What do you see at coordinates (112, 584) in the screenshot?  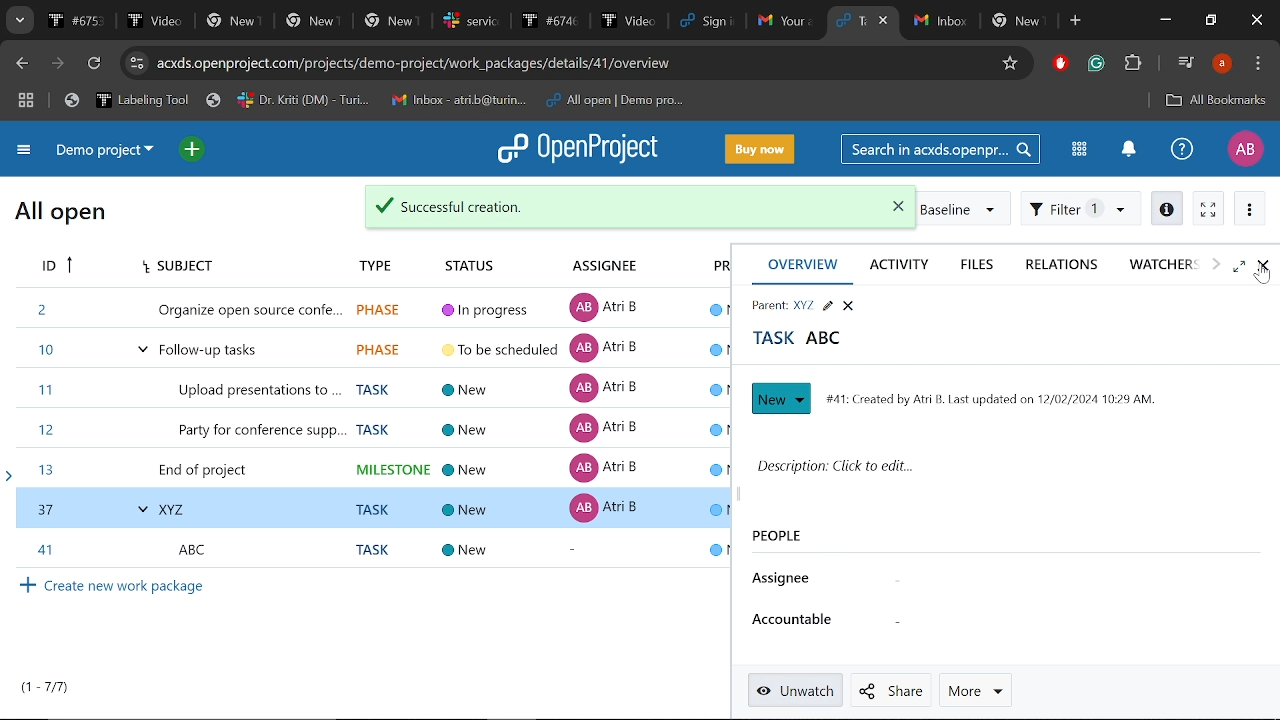 I see `+ Create new work package` at bounding box center [112, 584].